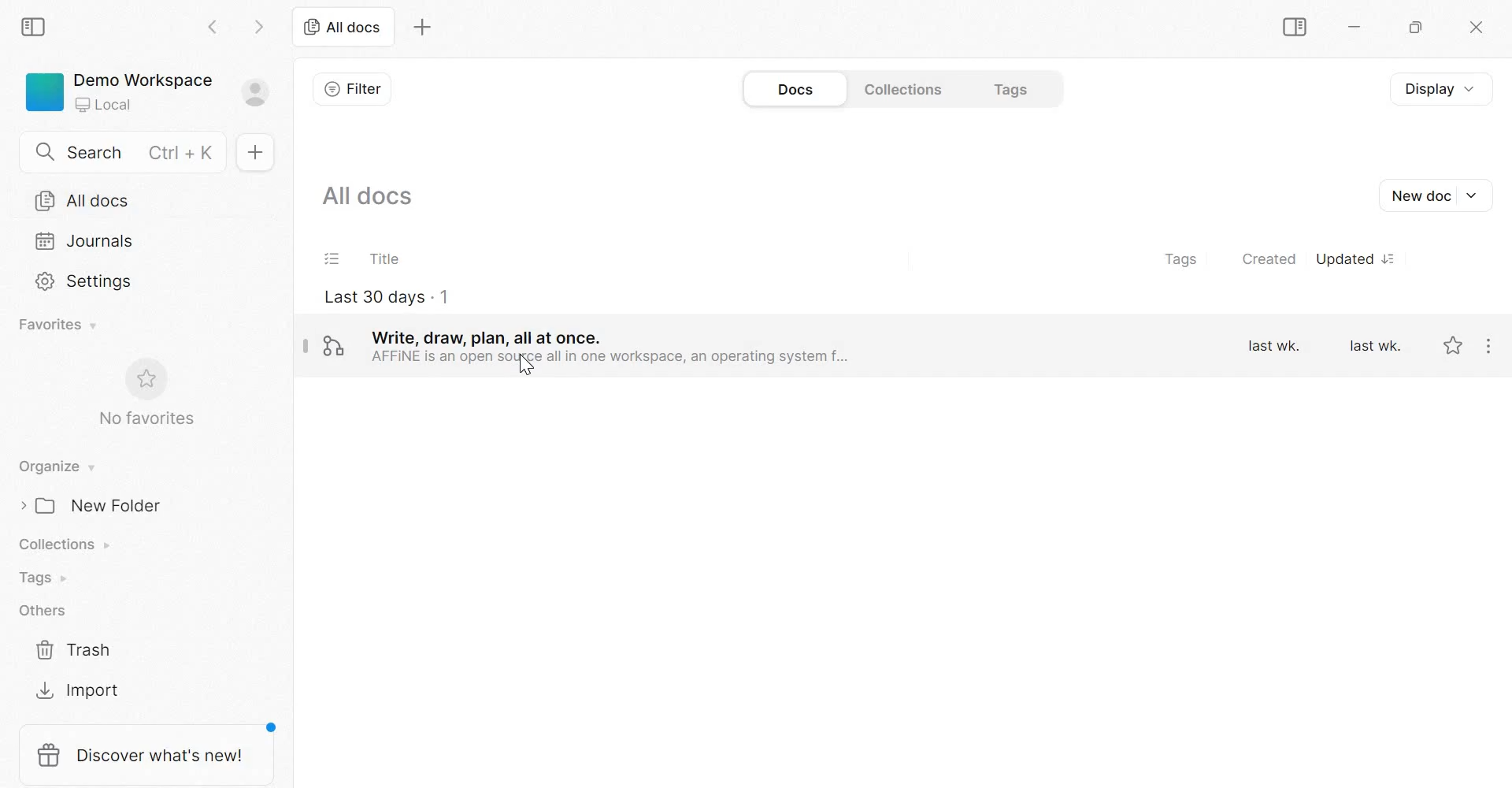 Image resolution: width=1512 pixels, height=788 pixels. What do you see at coordinates (903, 89) in the screenshot?
I see `Collections` at bounding box center [903, 89].